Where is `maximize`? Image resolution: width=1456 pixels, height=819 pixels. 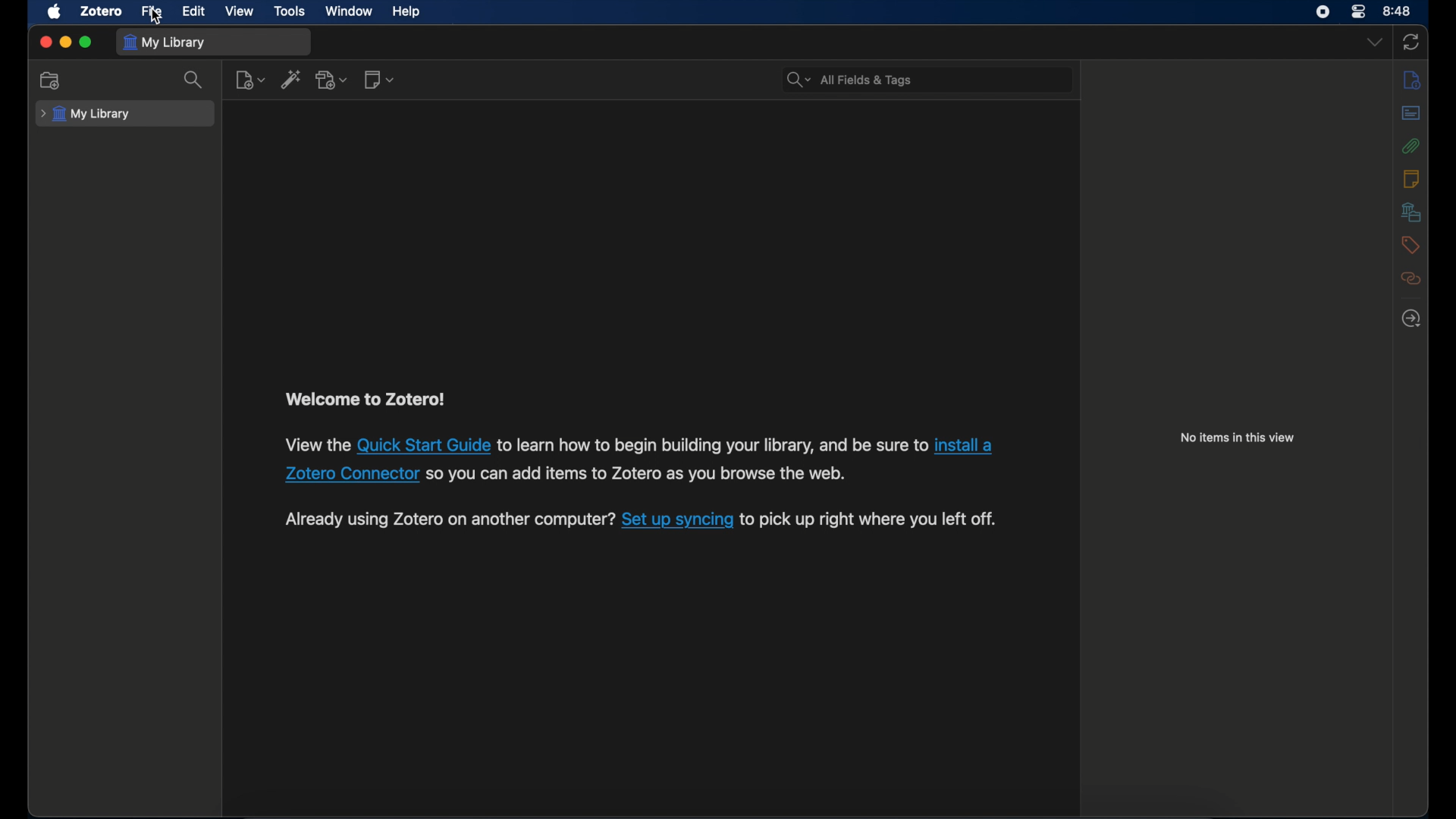 maximize is located at coordinates (86, 42).